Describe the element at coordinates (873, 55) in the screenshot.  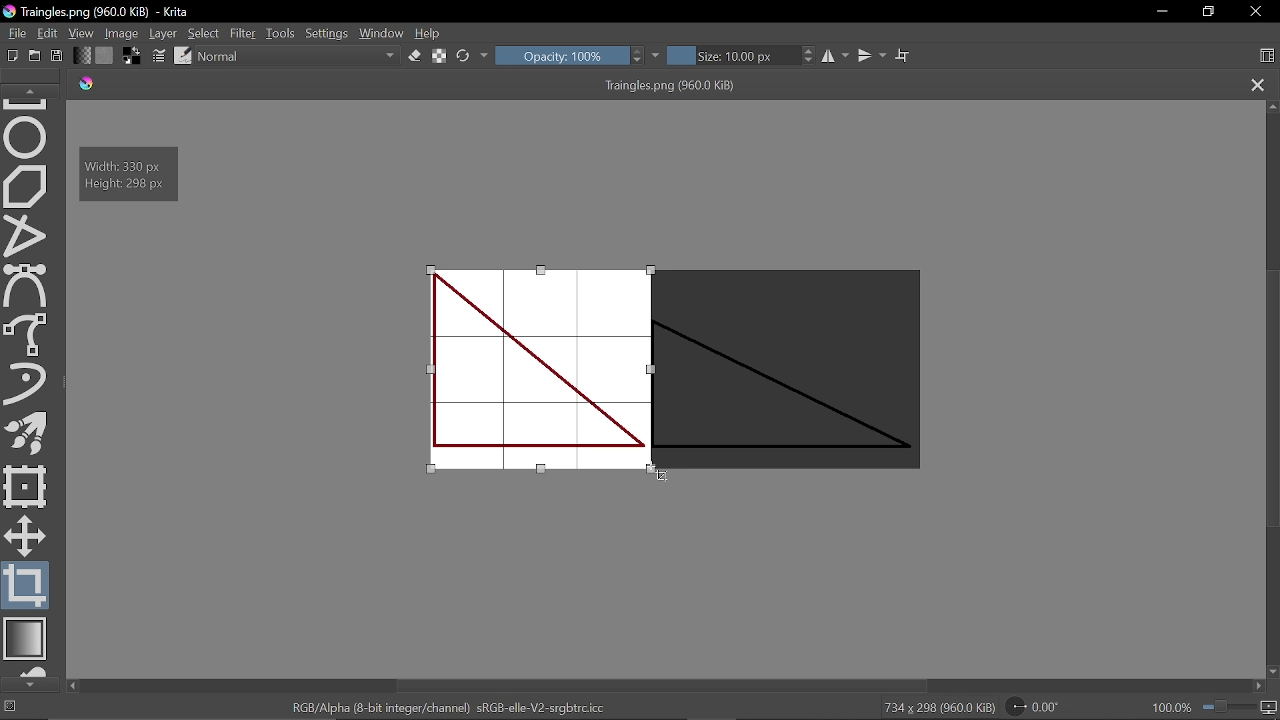
I see `Vertical mirror tool` at that location.